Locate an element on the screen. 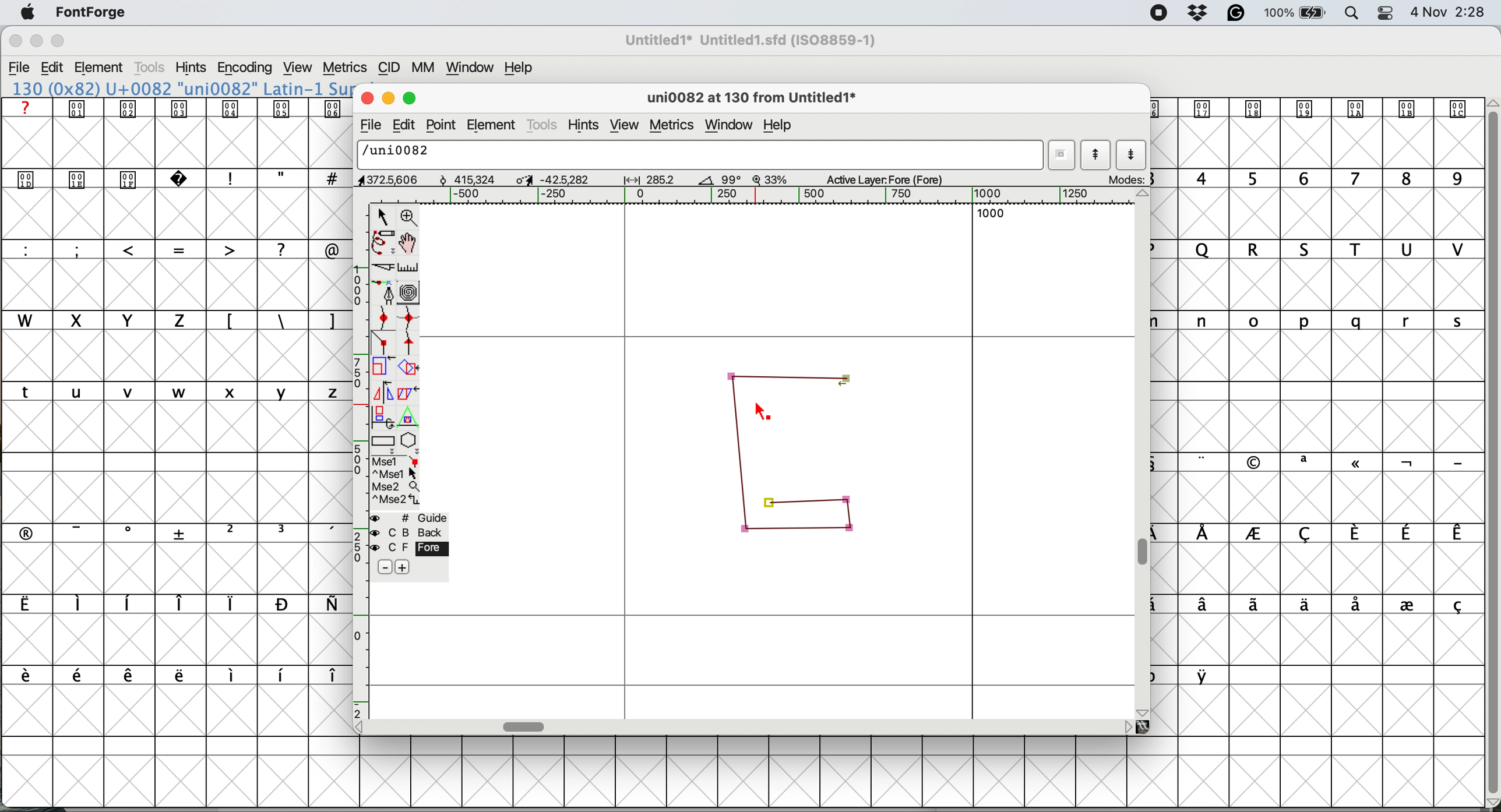 The width and height of the screenshot is (1501, 812). window is located at coordinates (732, 125).